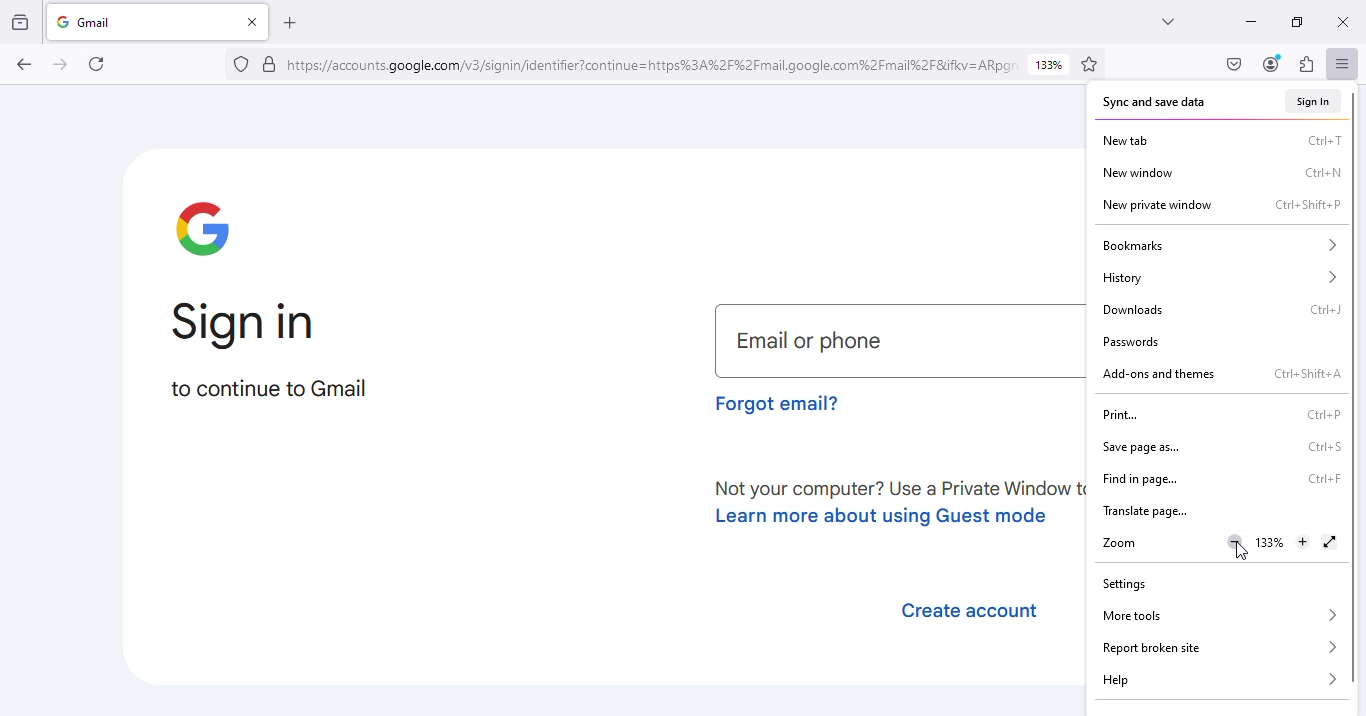 The height and width of the screenshot is (716, 1366). I want to click on add-ons and themes, so click(1159, 375).